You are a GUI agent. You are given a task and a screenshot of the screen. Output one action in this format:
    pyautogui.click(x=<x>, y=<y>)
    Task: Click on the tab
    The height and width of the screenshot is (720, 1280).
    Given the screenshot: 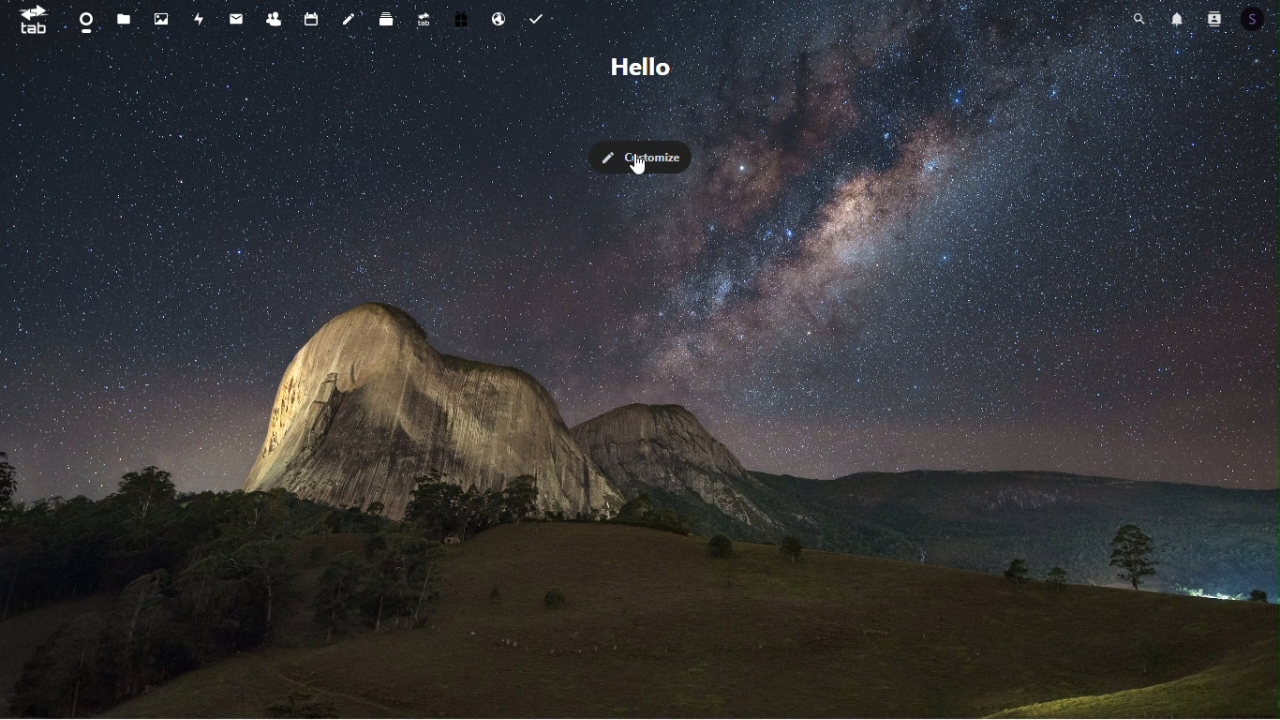 What is the action you would take?
    pyautogui.click(x=34, y=22)
    